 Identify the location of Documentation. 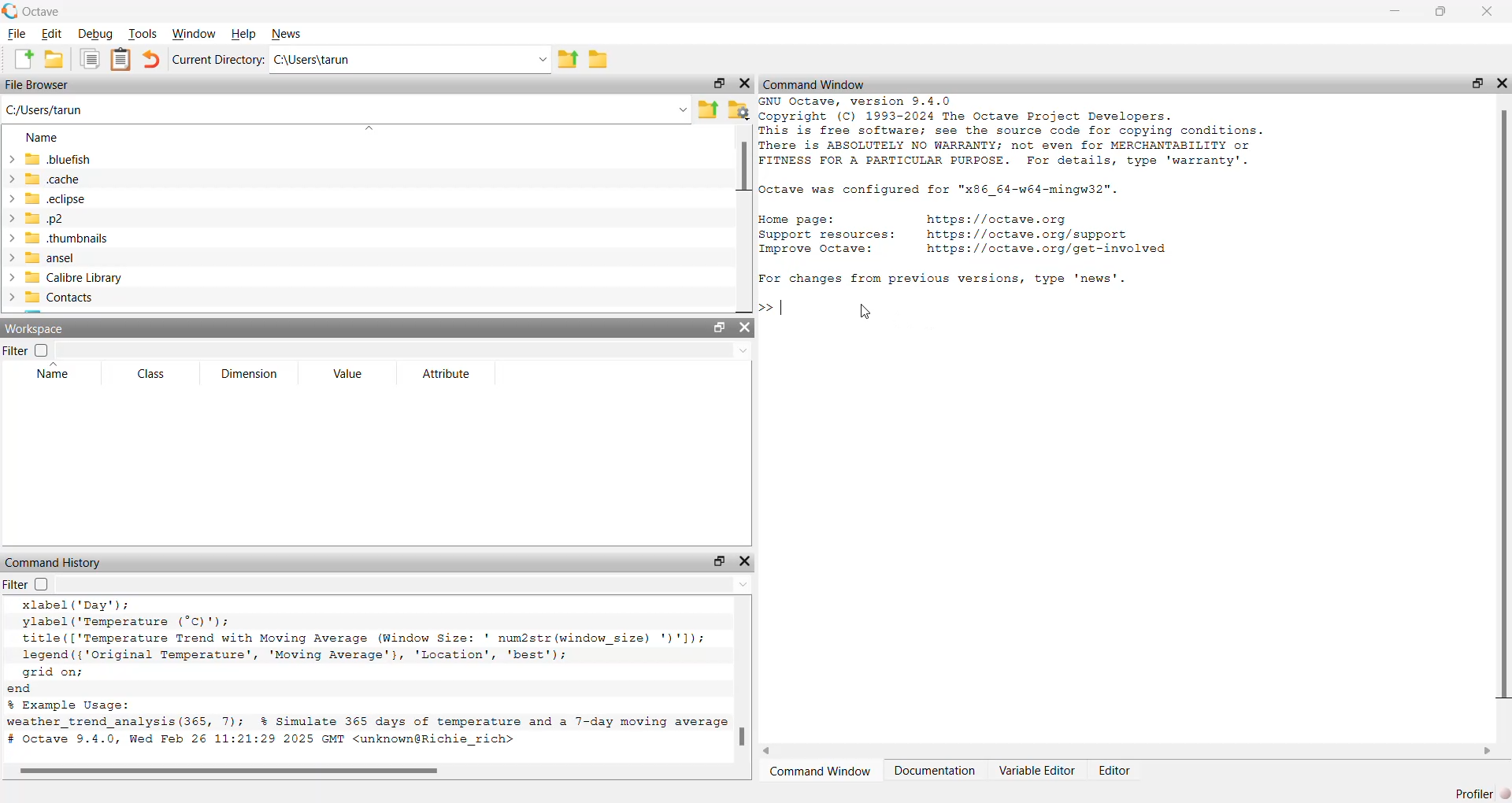
(936, 771).